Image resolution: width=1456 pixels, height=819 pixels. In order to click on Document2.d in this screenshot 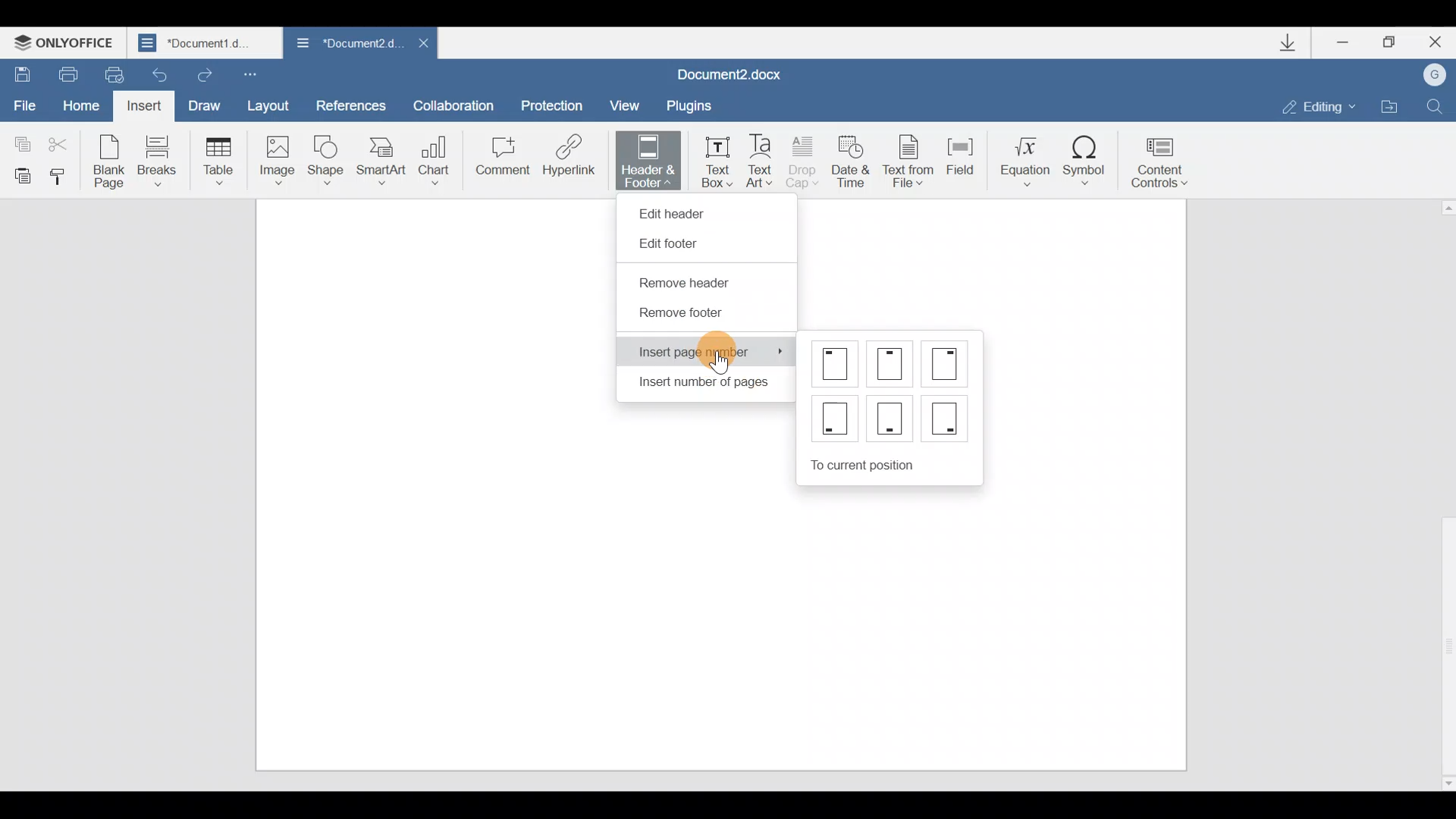, I will do `click(342, 44)`.